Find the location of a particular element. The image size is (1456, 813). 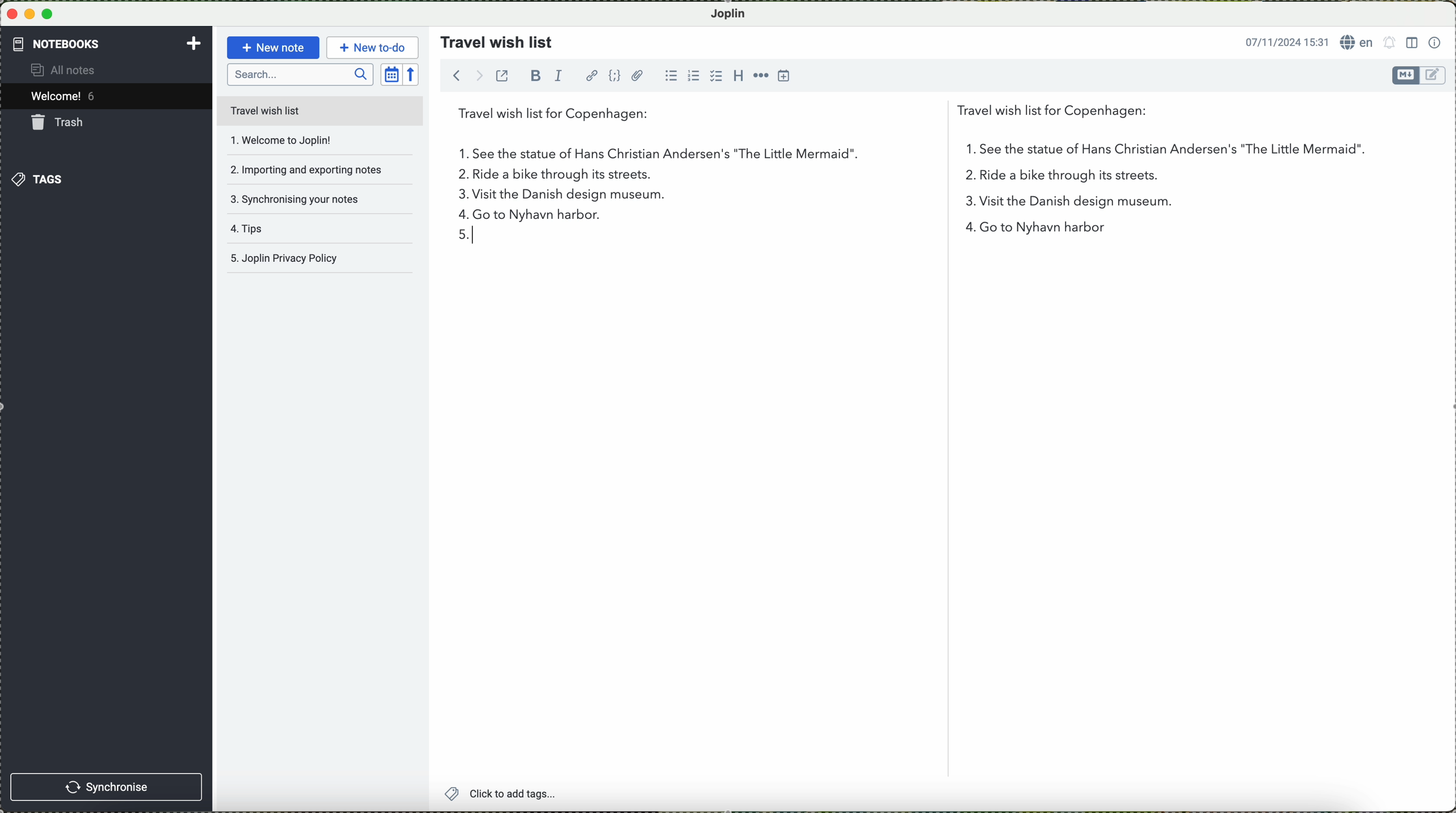

minimize is located at coordinates (31, 14).